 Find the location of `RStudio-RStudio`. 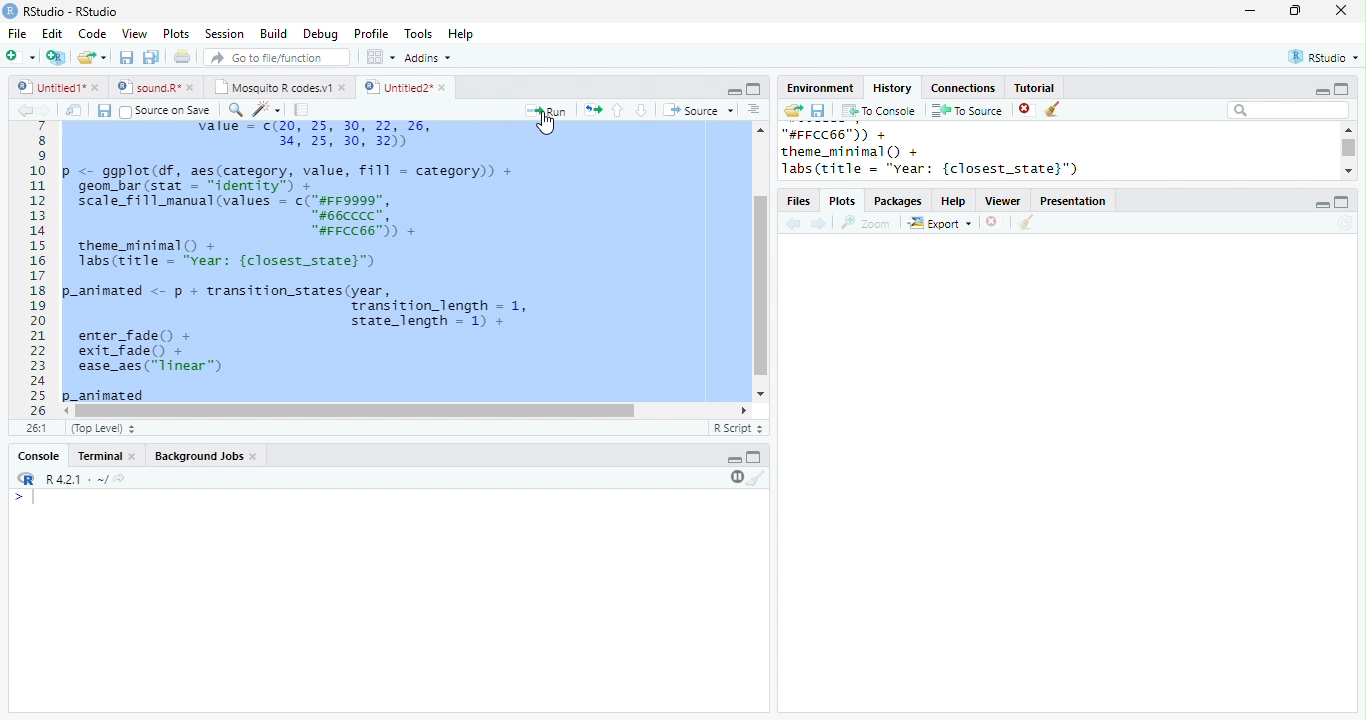

RStudio-RStudio is located at coordinates (71, 11).